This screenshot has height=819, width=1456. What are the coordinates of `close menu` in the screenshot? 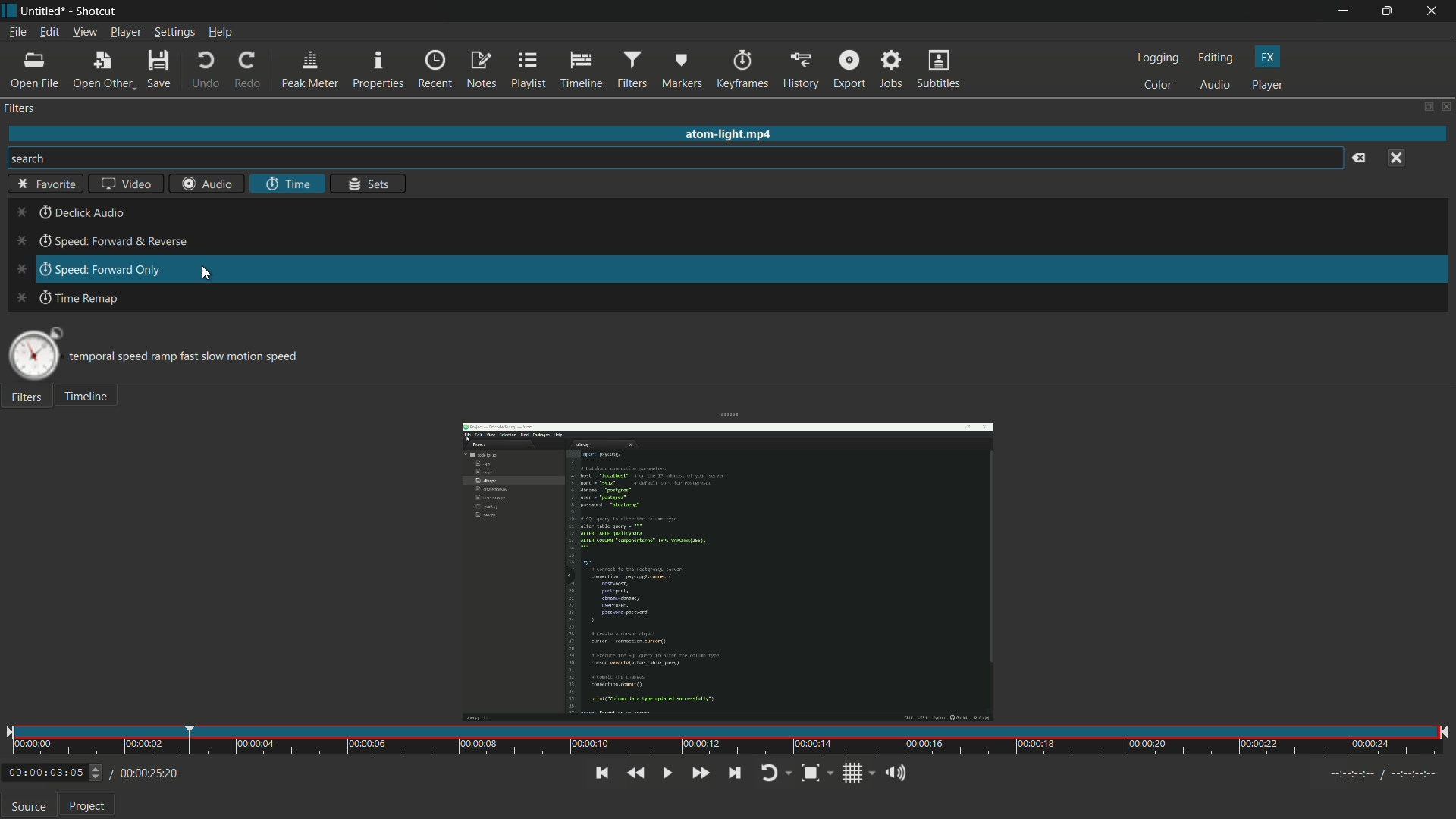 It's located at (1396, 158).